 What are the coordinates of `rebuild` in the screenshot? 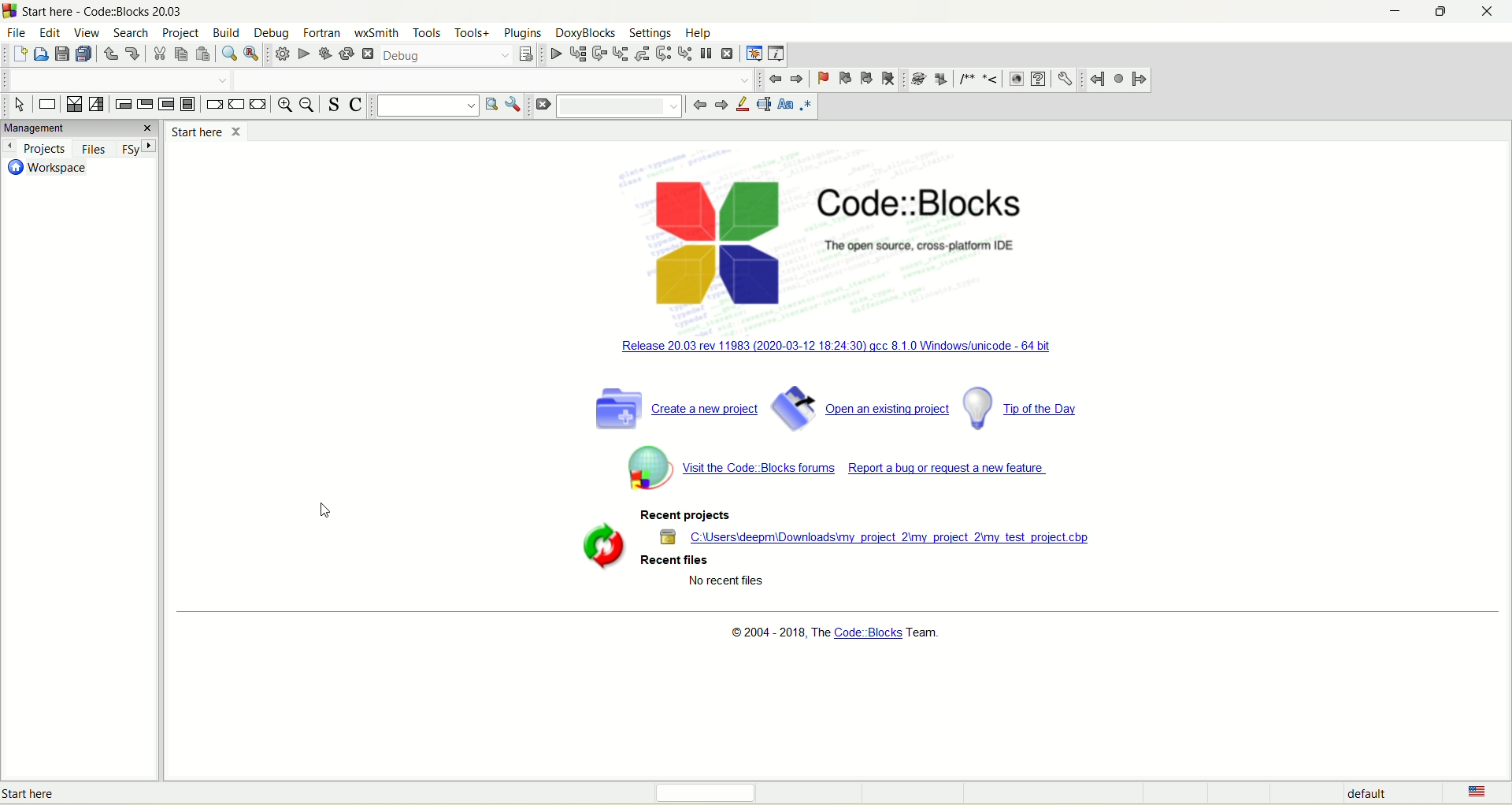 It's located at (346, 51).